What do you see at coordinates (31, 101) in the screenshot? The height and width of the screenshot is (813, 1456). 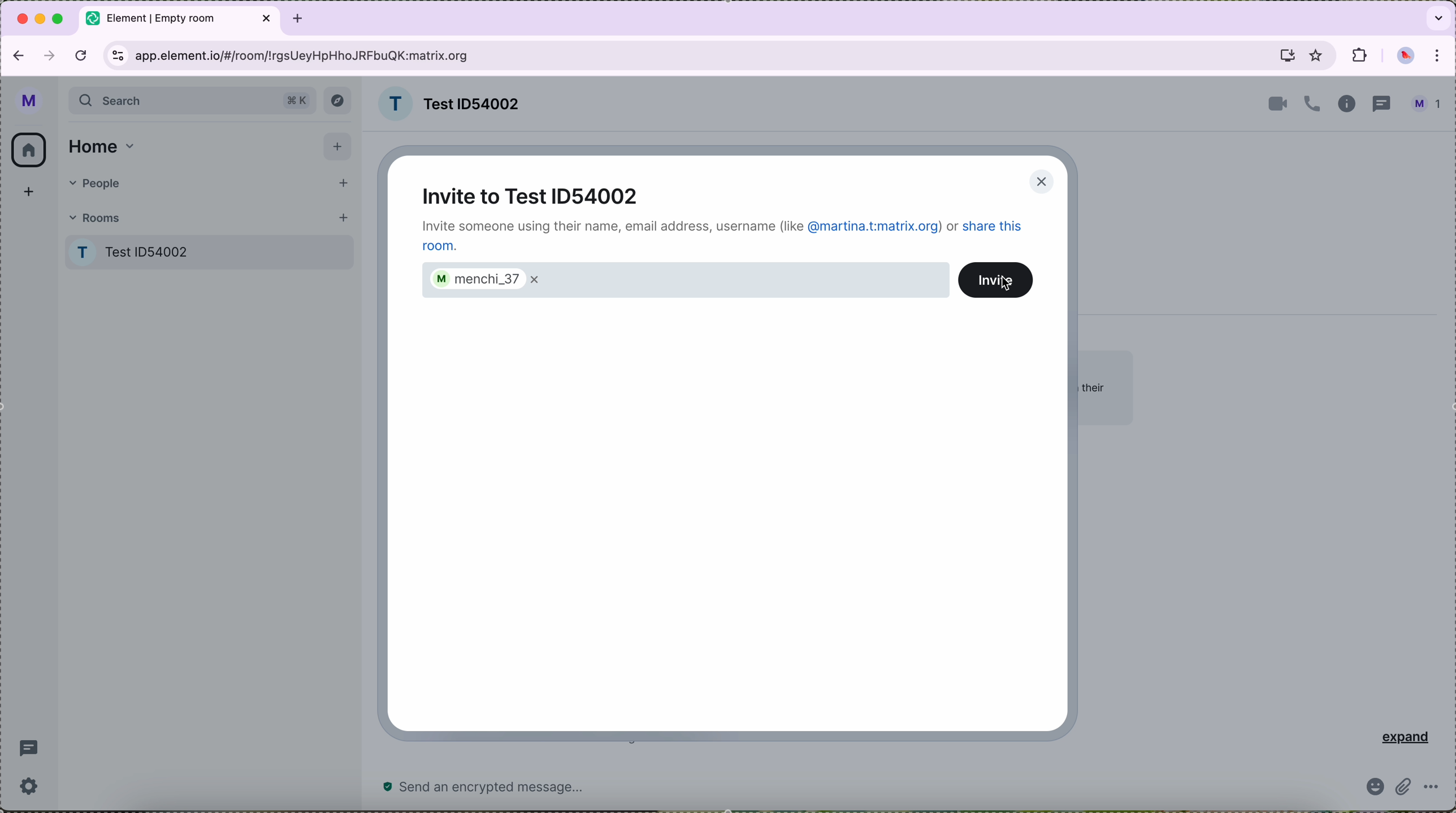 I see `profile` at bounding box center [31, 101].